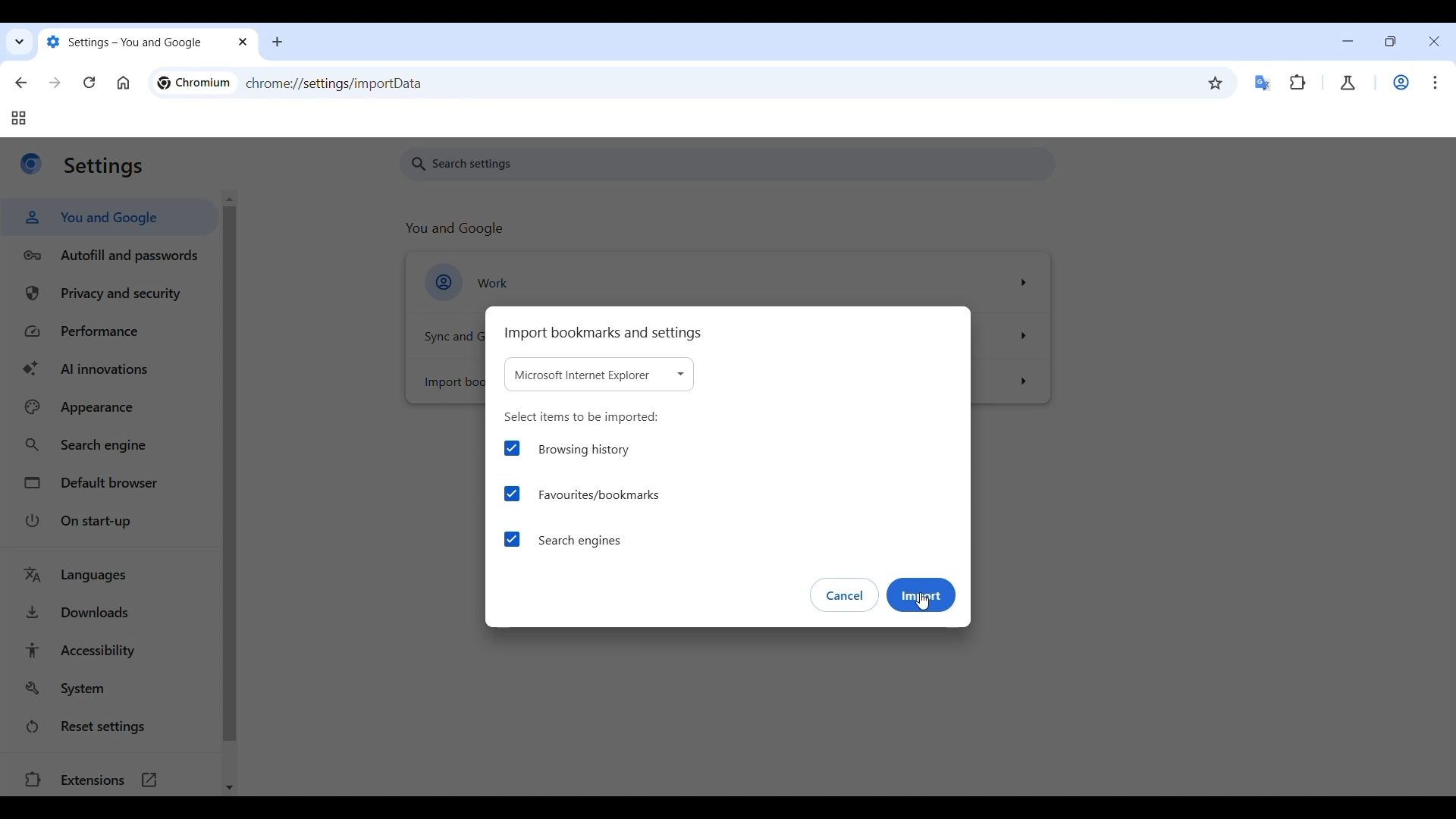 This screenshot has height=819, width=1456. Describe the element at coordinates (112, 368) in the screenshot. I see `AI innovations` at that location.